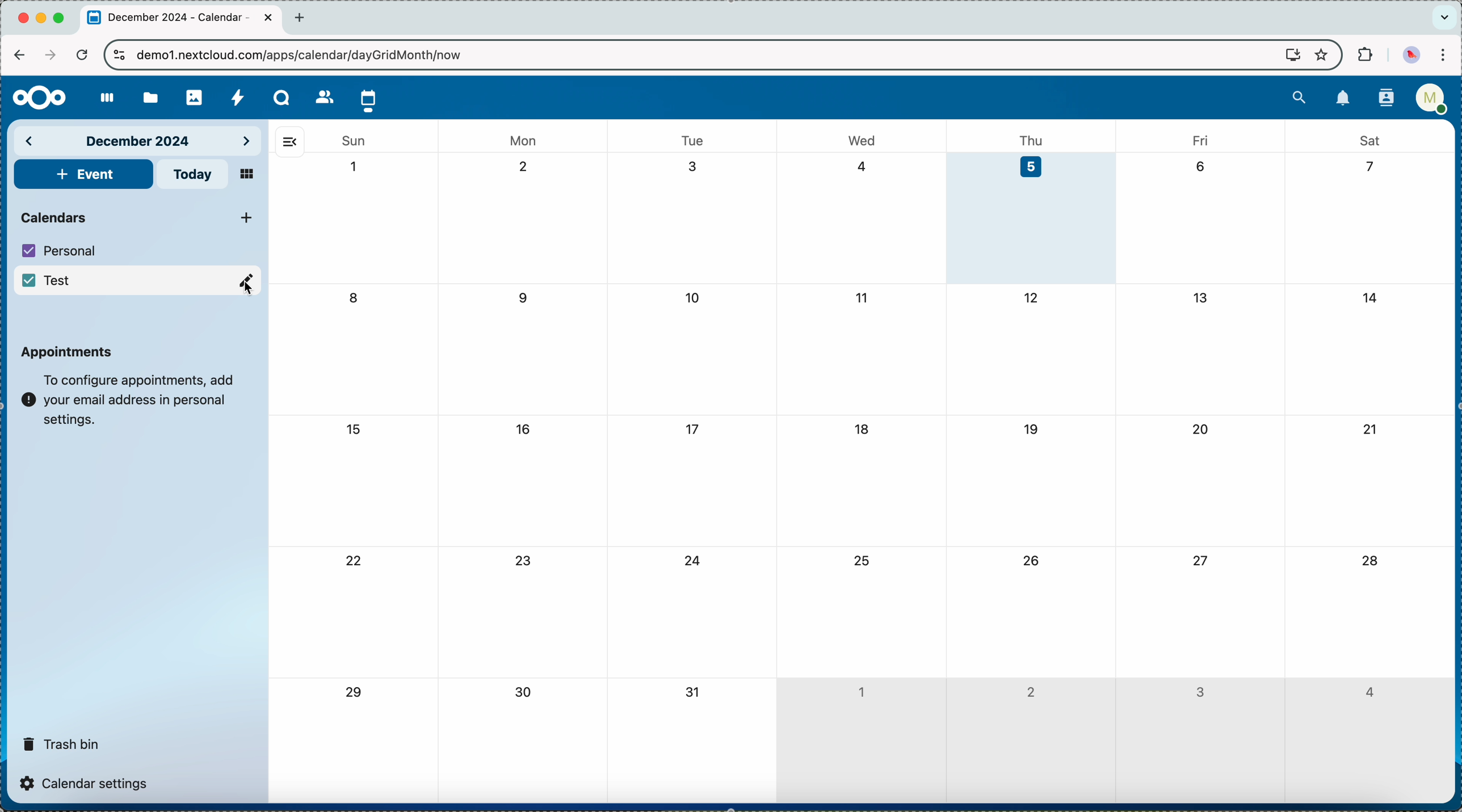 The width and height of the screenshot is (1462, 812). Describe the element at coordinates (355, 167) in the screenshot. I see `1` at that location.